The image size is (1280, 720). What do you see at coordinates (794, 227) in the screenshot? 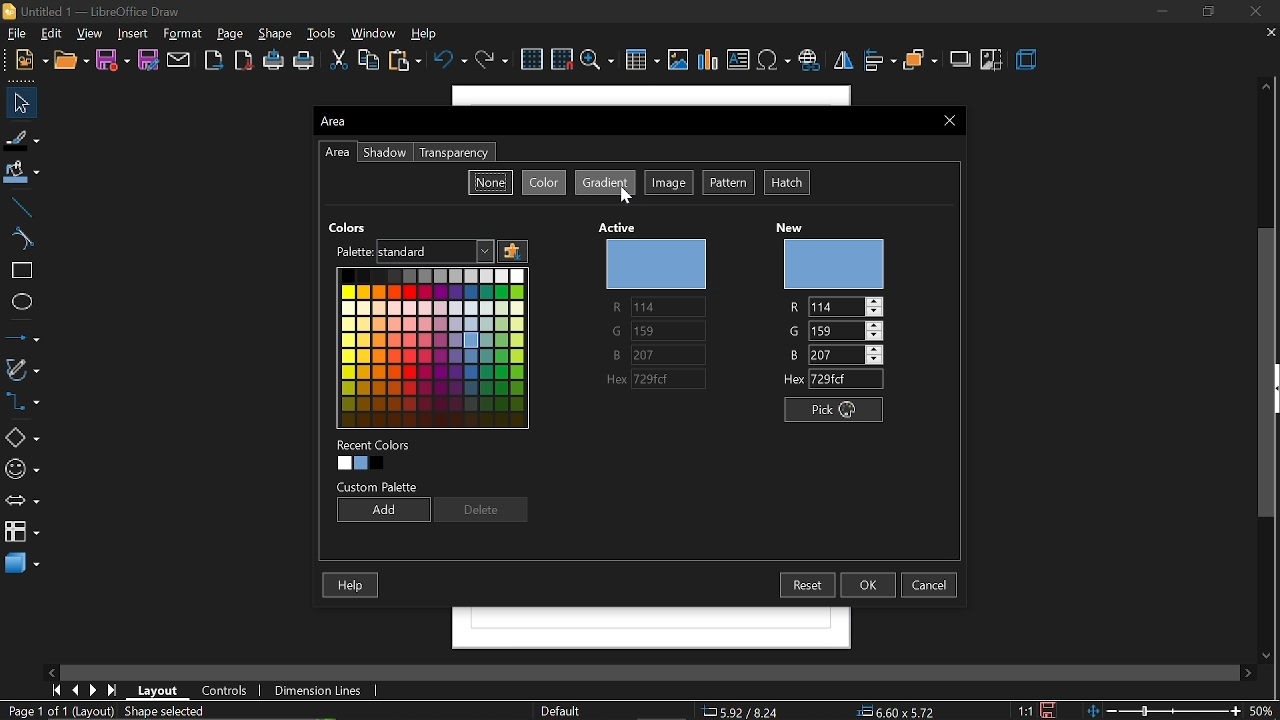
I see `New` at bounding box center [794, 227].